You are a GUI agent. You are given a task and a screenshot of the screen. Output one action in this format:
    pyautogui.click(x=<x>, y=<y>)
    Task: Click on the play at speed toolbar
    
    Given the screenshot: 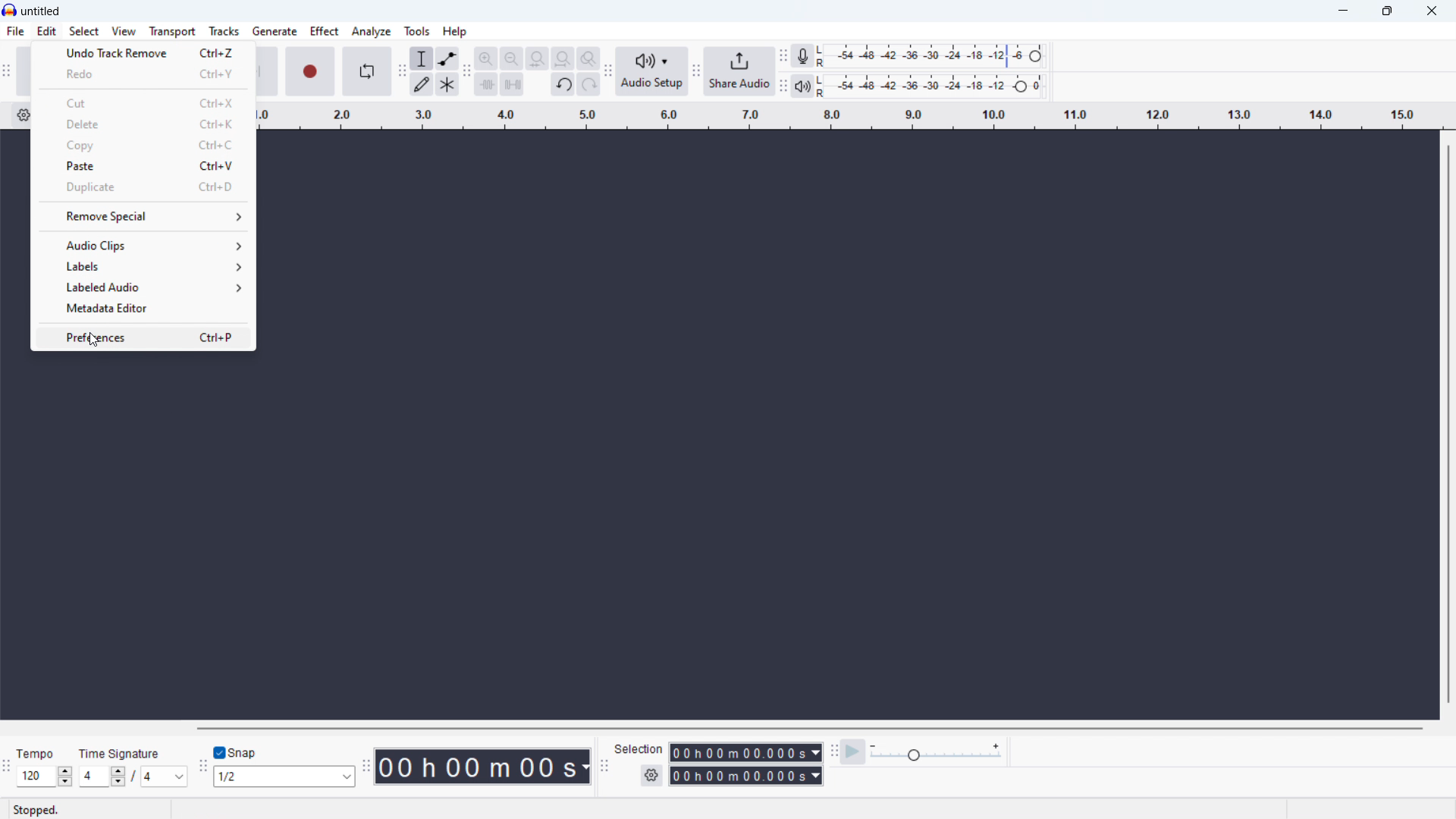 What is the action you would take?
    pyautogui.click(x=833, y=752)
    